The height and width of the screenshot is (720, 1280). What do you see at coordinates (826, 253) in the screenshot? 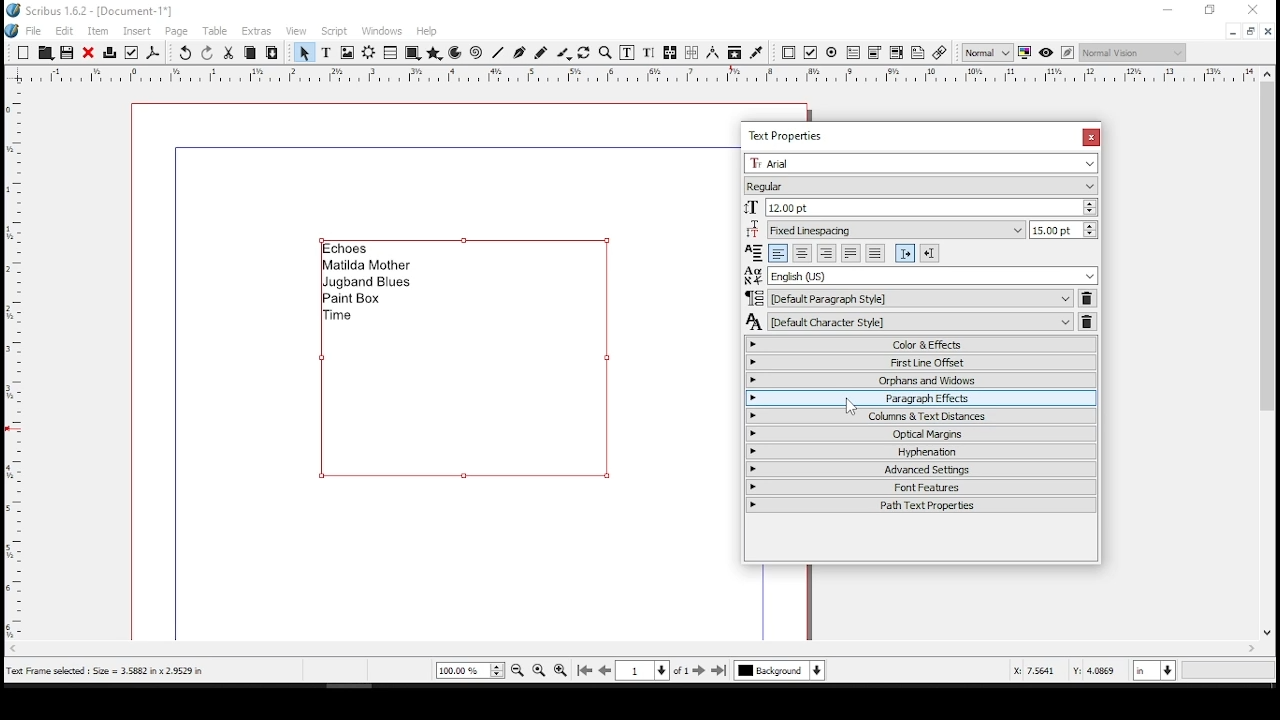
I see `align text right` at bounding box center [826, 253].